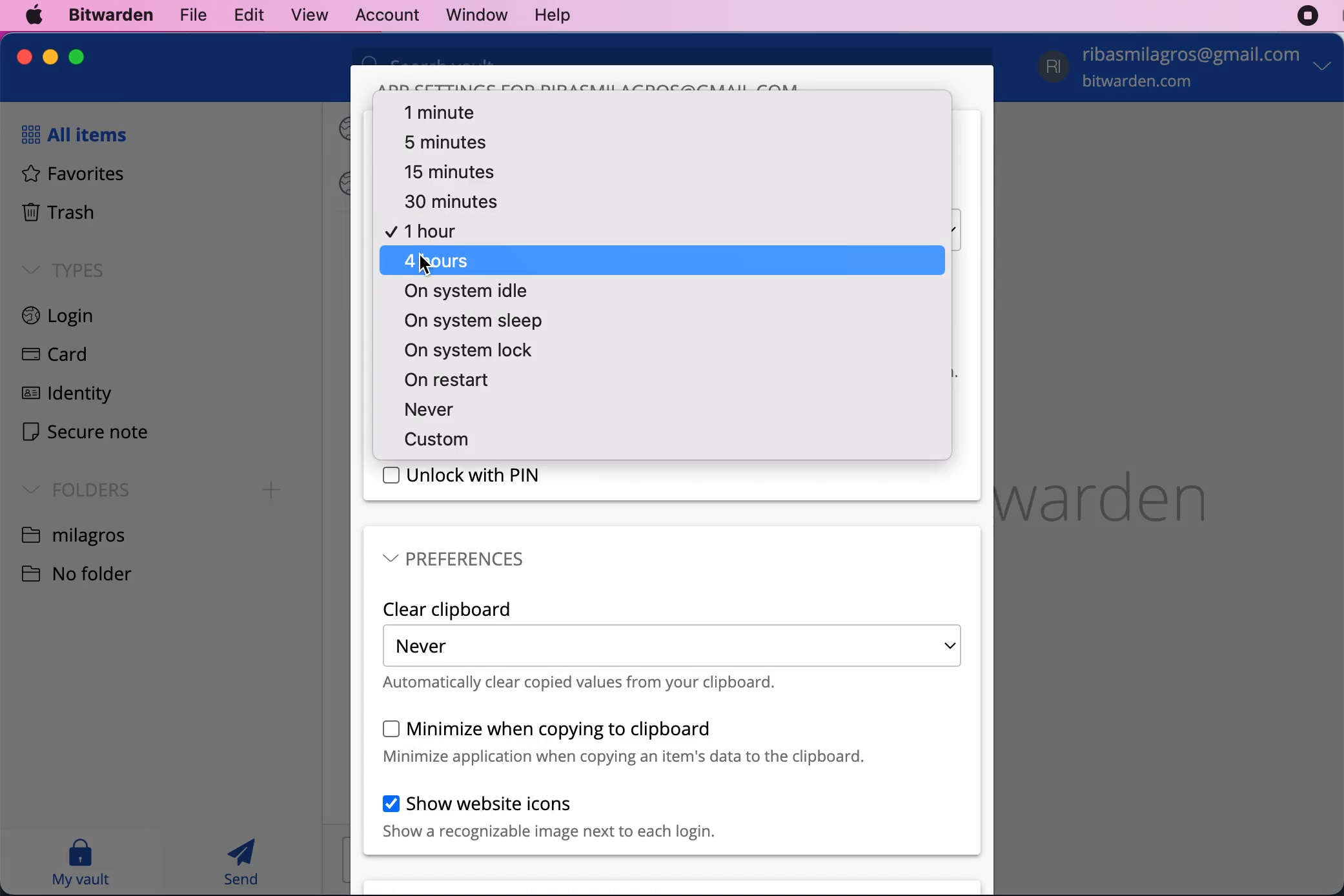 The height and width of the screenshot is (896, 1344). Describe the element at coordinates (108, 16) in the screenshot. I see `bitwarden` at that location.